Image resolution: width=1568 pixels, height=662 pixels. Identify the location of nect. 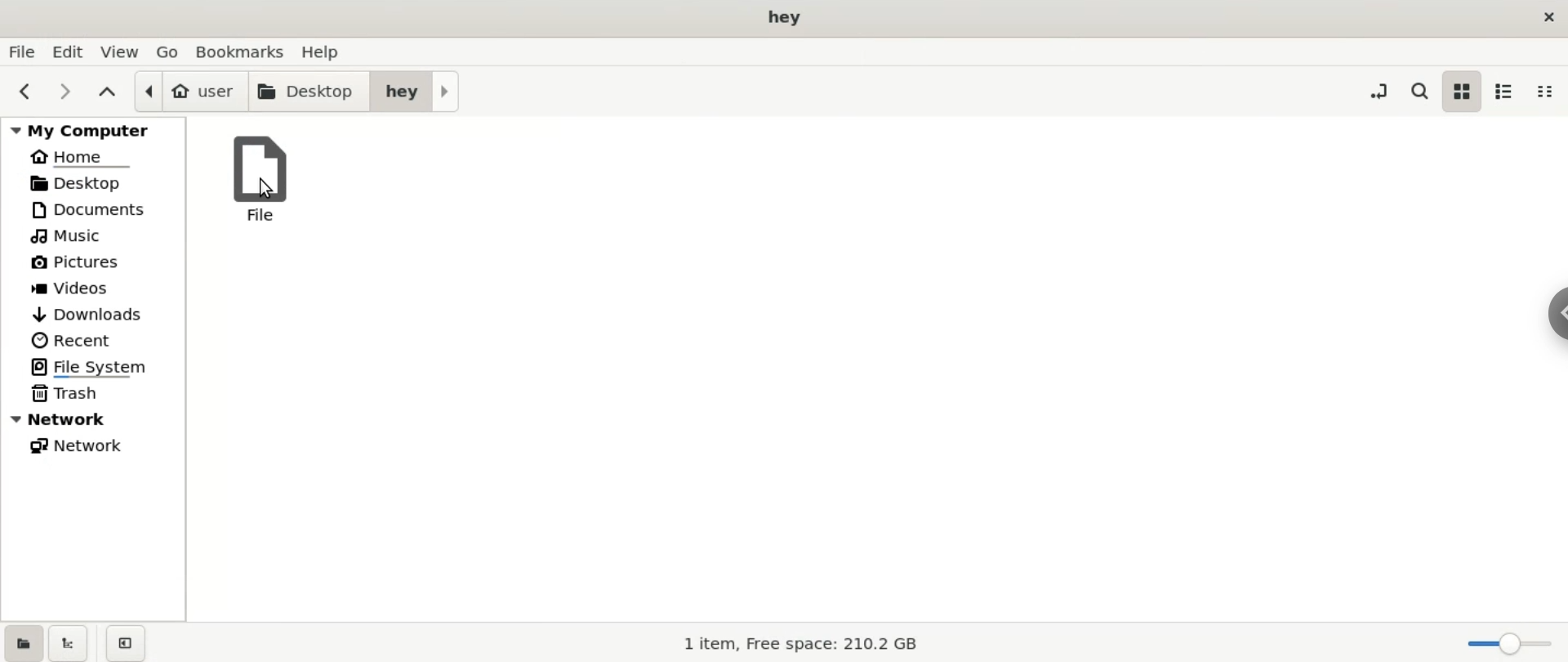
(66, 91).